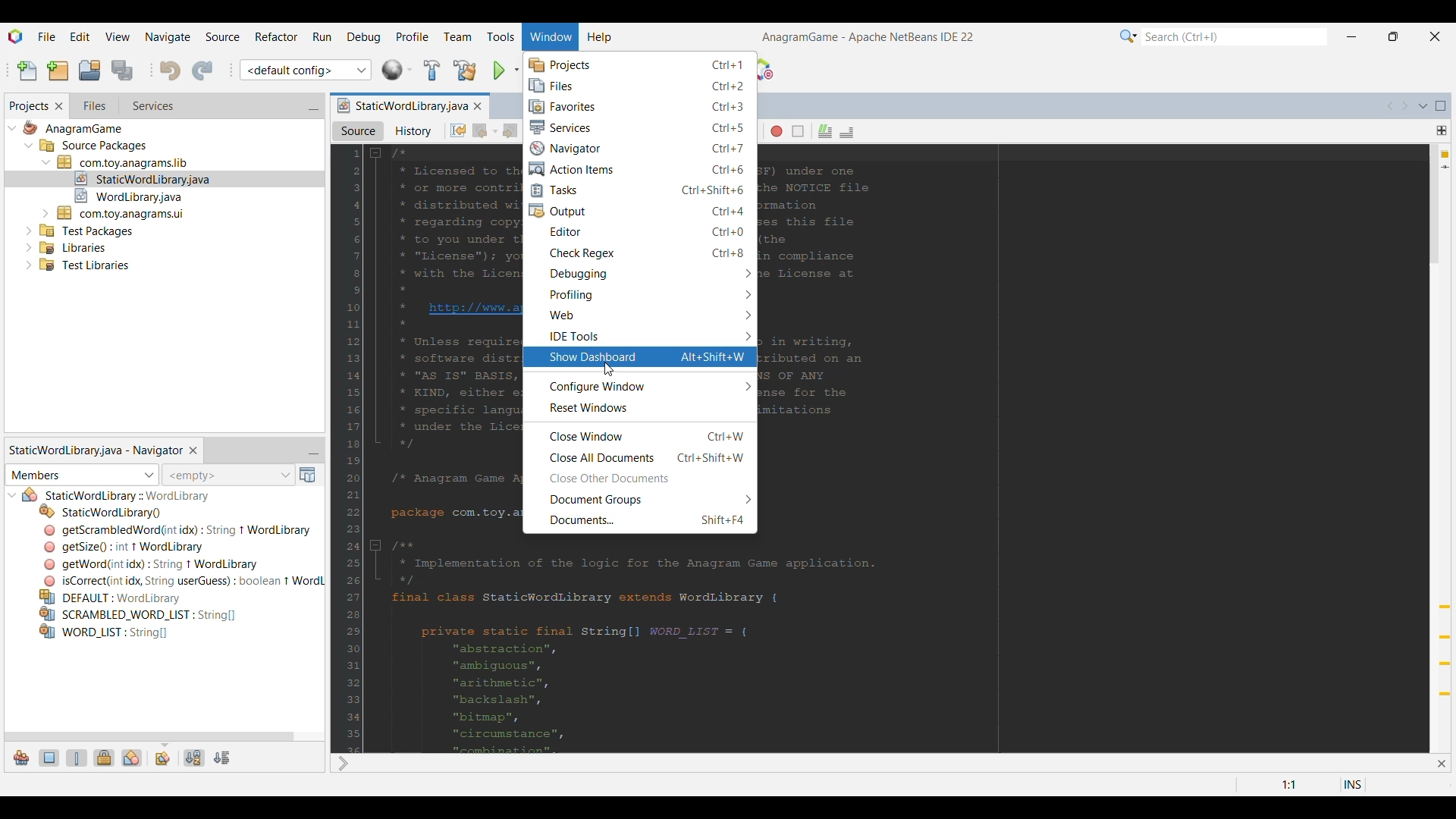 Image resolution: width=1456 pixels, height=819 pixels. Describe the element at coordinates (47, 36) in the screenshot. I see `File menu` at that location.